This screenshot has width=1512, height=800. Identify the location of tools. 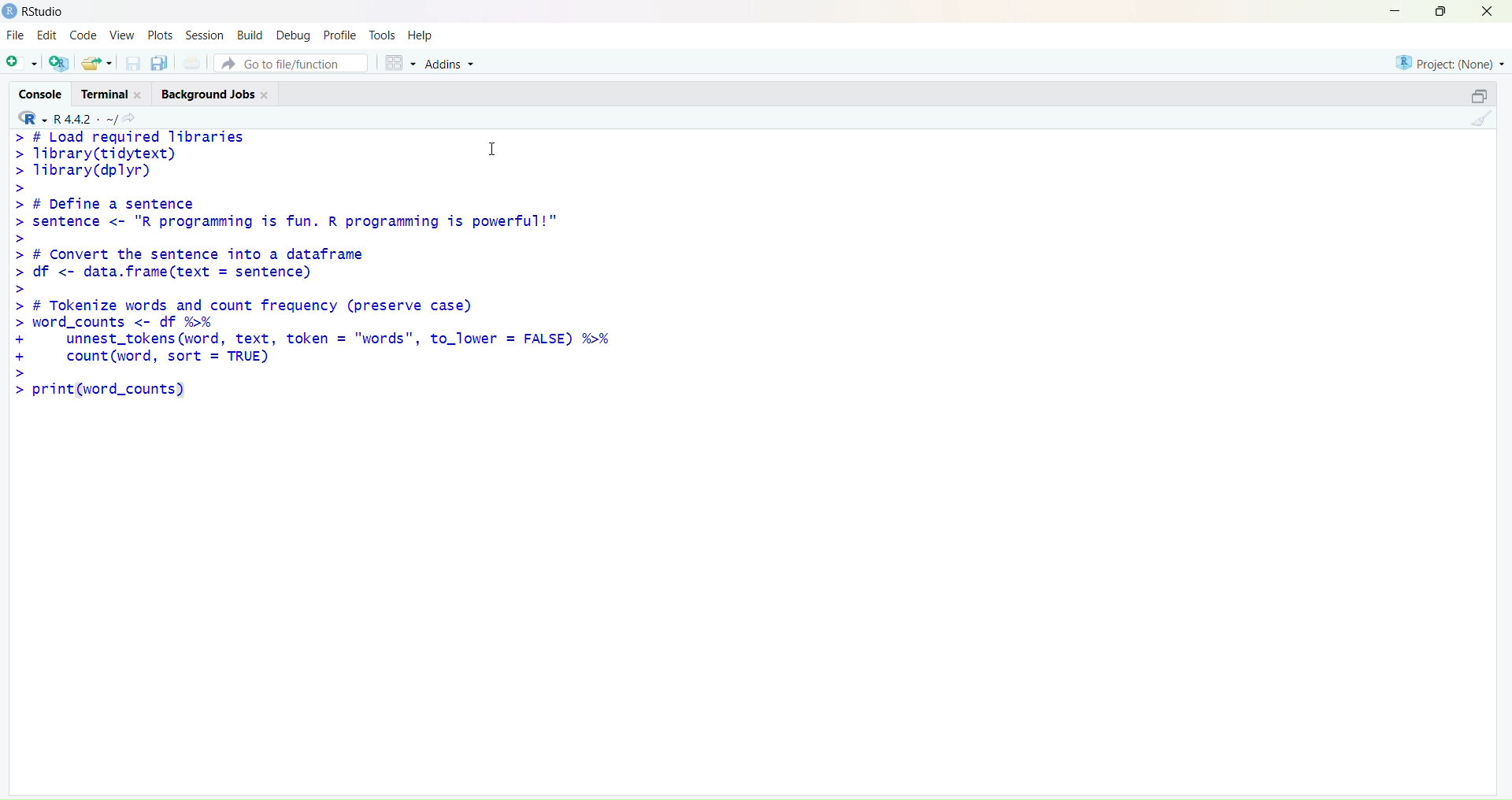
(382, 35).